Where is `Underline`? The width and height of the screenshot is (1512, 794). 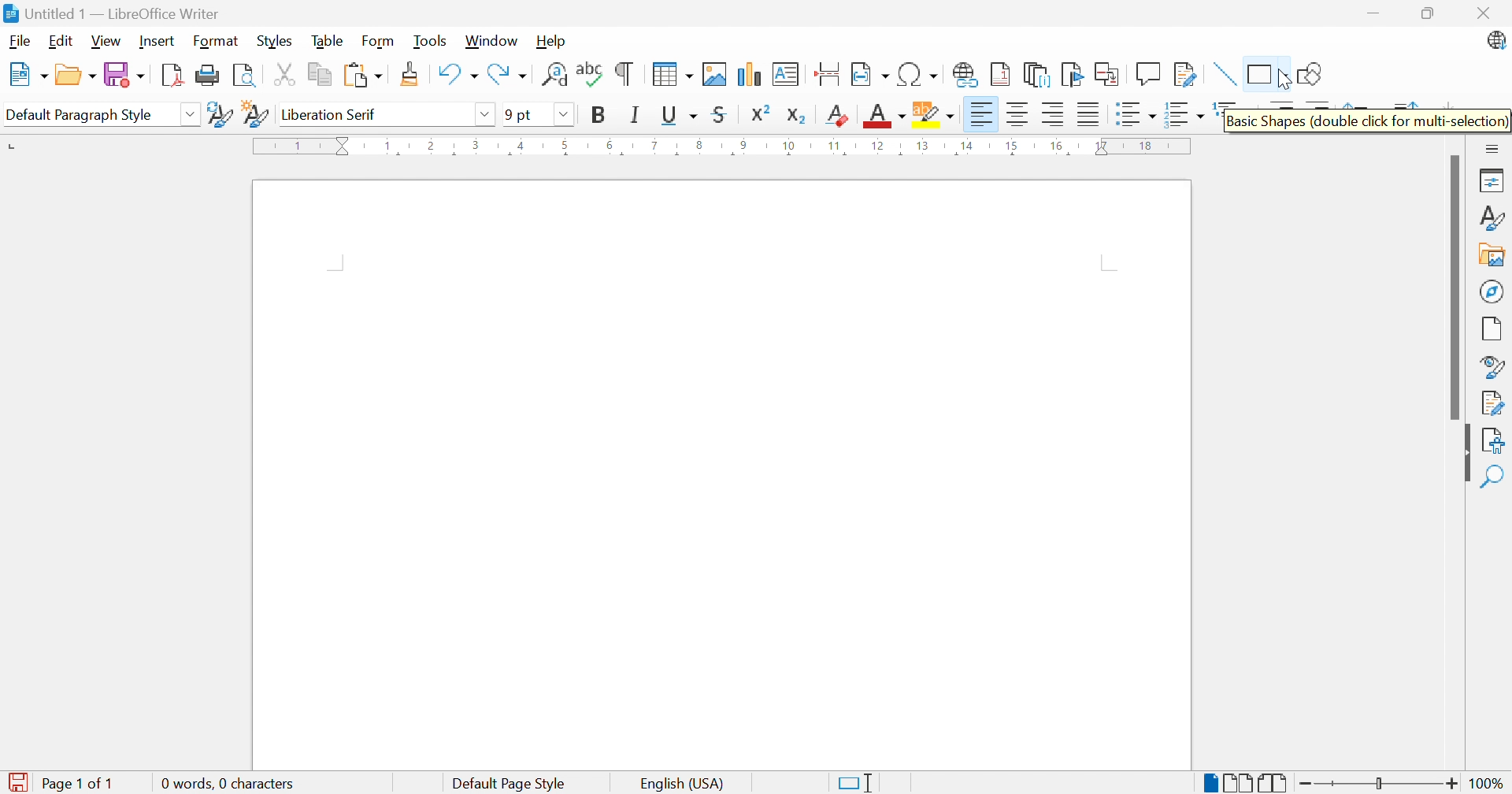 Underline is located at coordinates (679, 116).